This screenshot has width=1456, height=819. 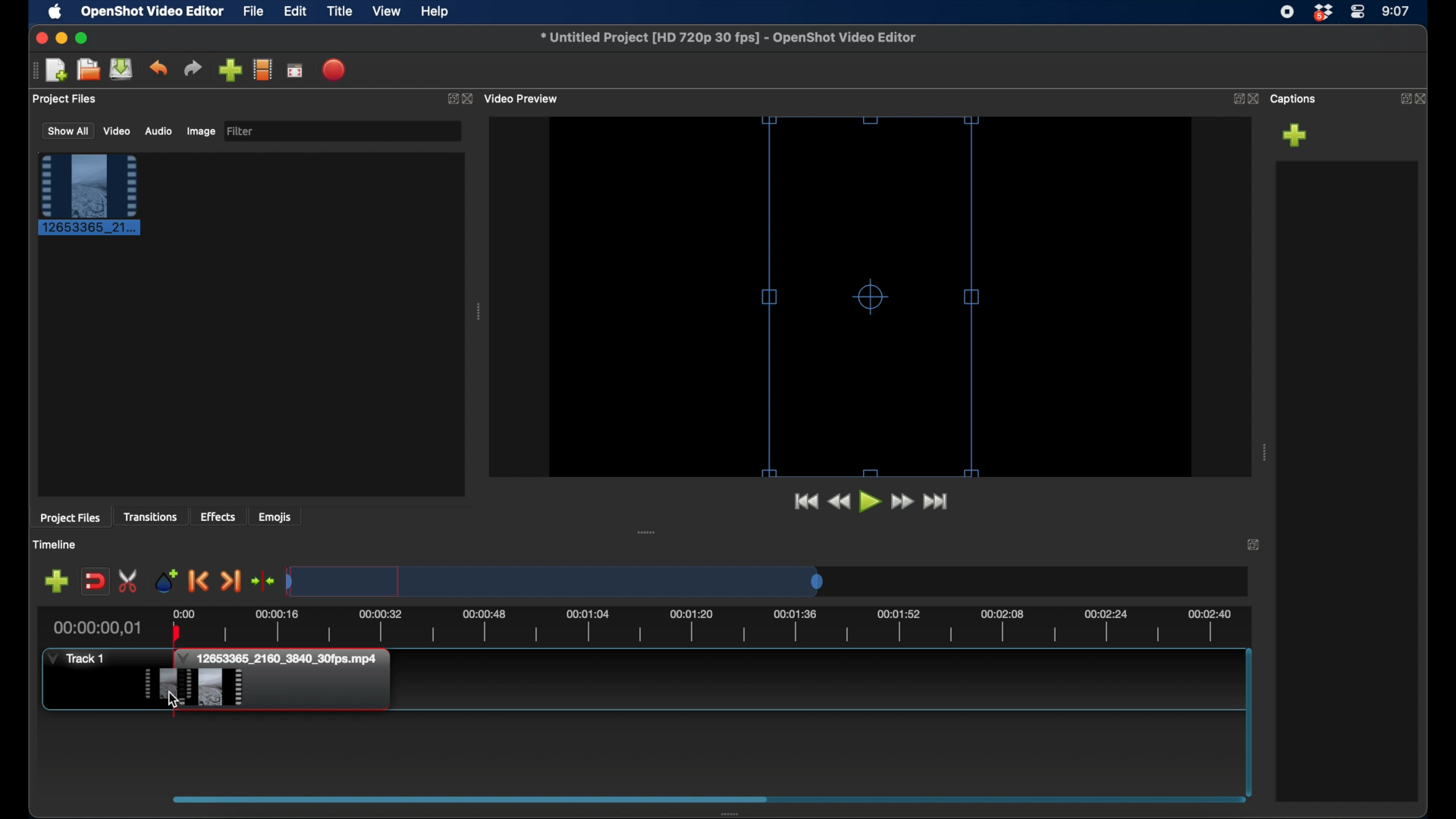 What do you see at coordinates (230, 70) in the screenshot?
I see `import files` at bounding box center [230, 70].